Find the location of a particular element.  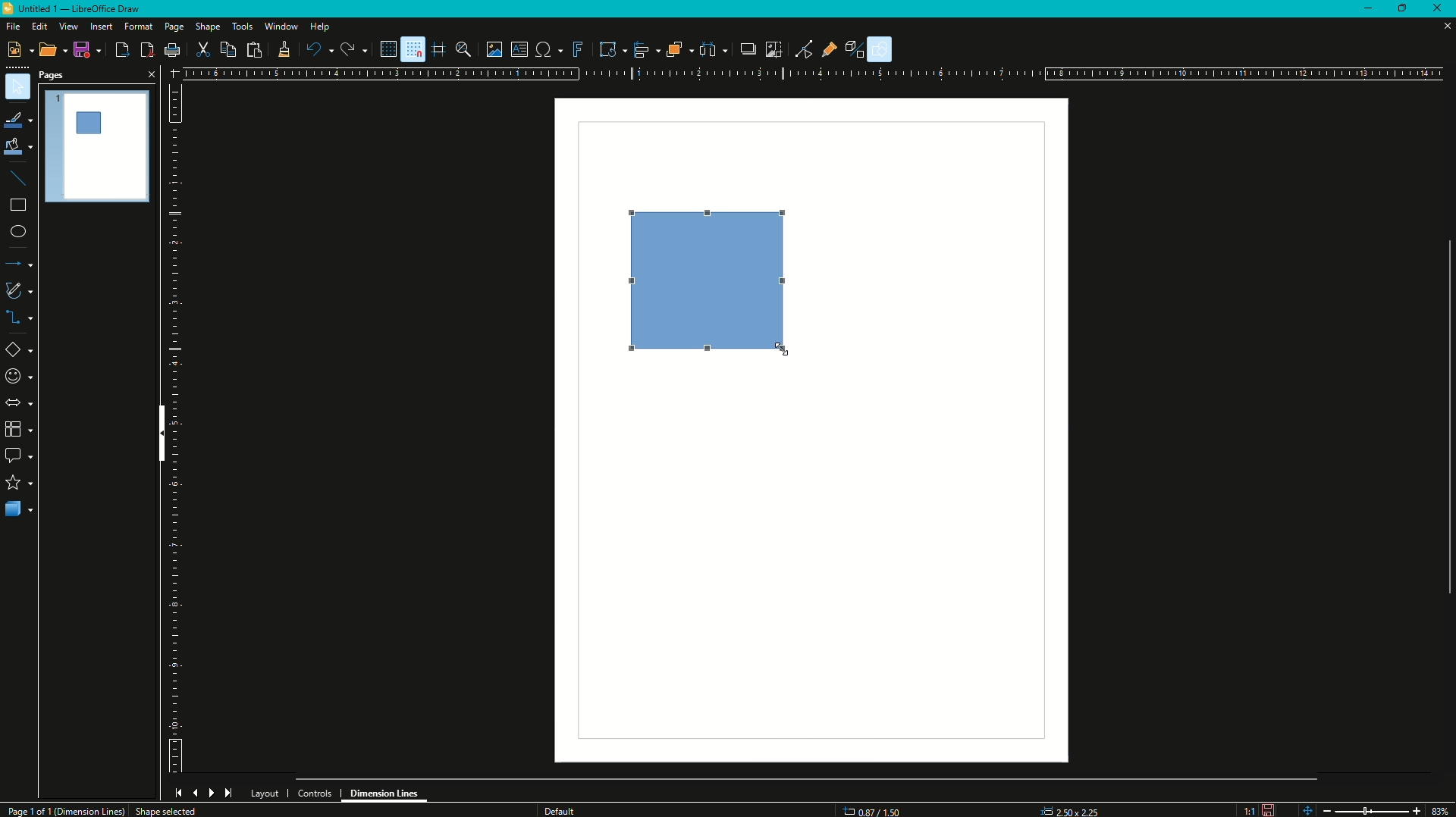

Export is located at coordinates (121, 50).